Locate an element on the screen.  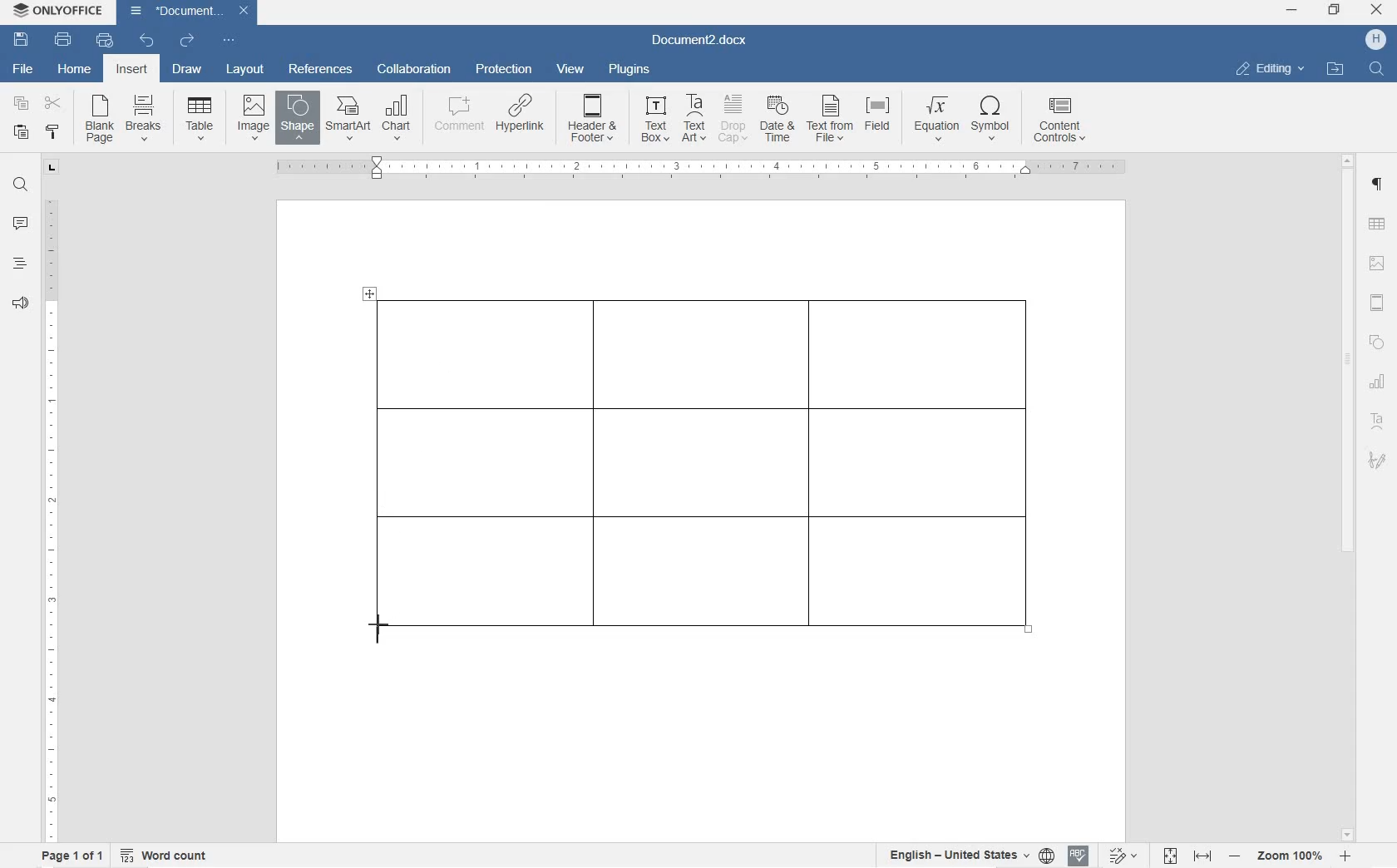
image settings is located at coordinates (1376, 264).